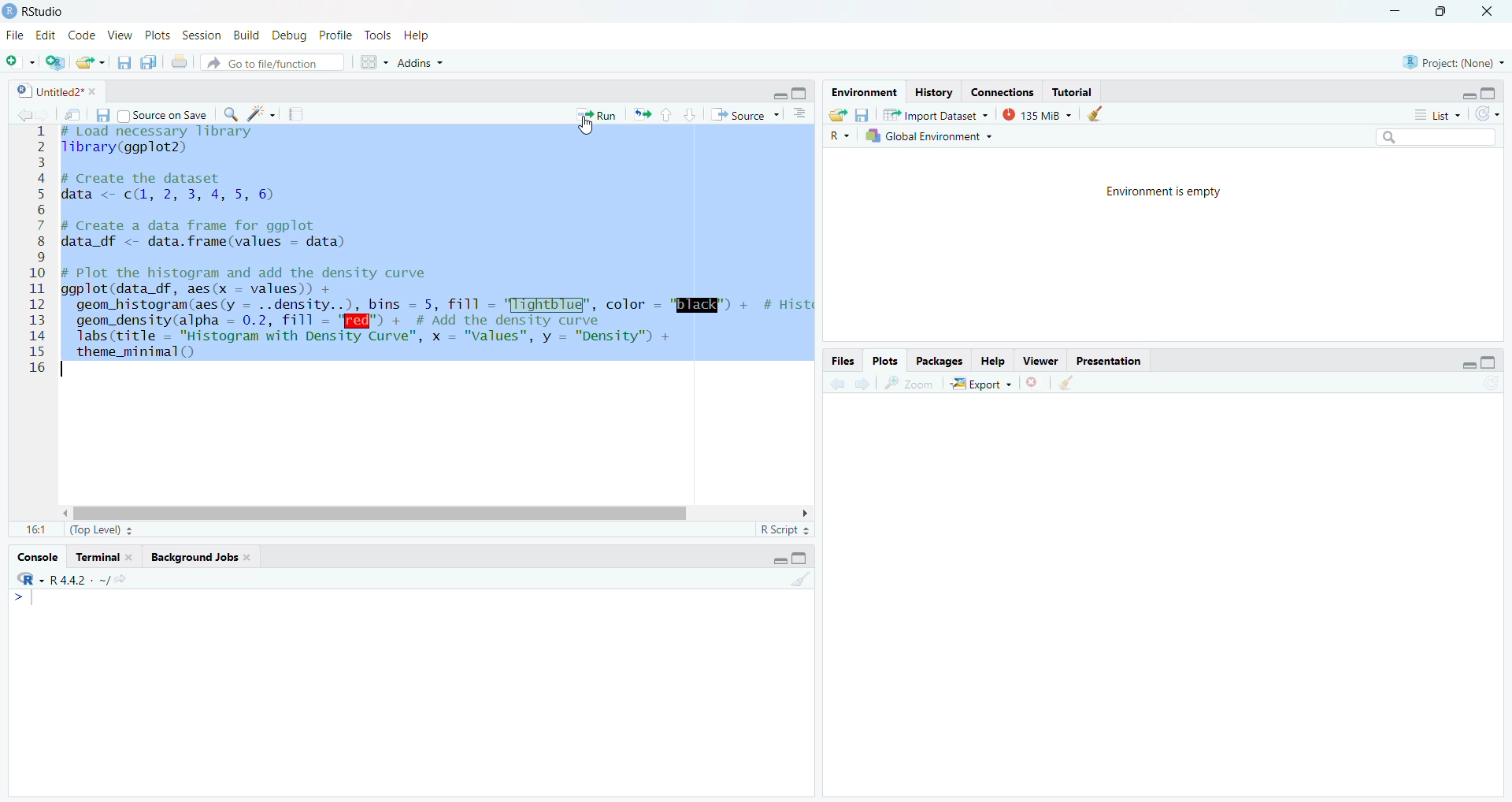 This screenshot has width=1512, height=802. Describe the element at coordinates (273, 64) in the screenshot. I see `go to file/function` at that location.